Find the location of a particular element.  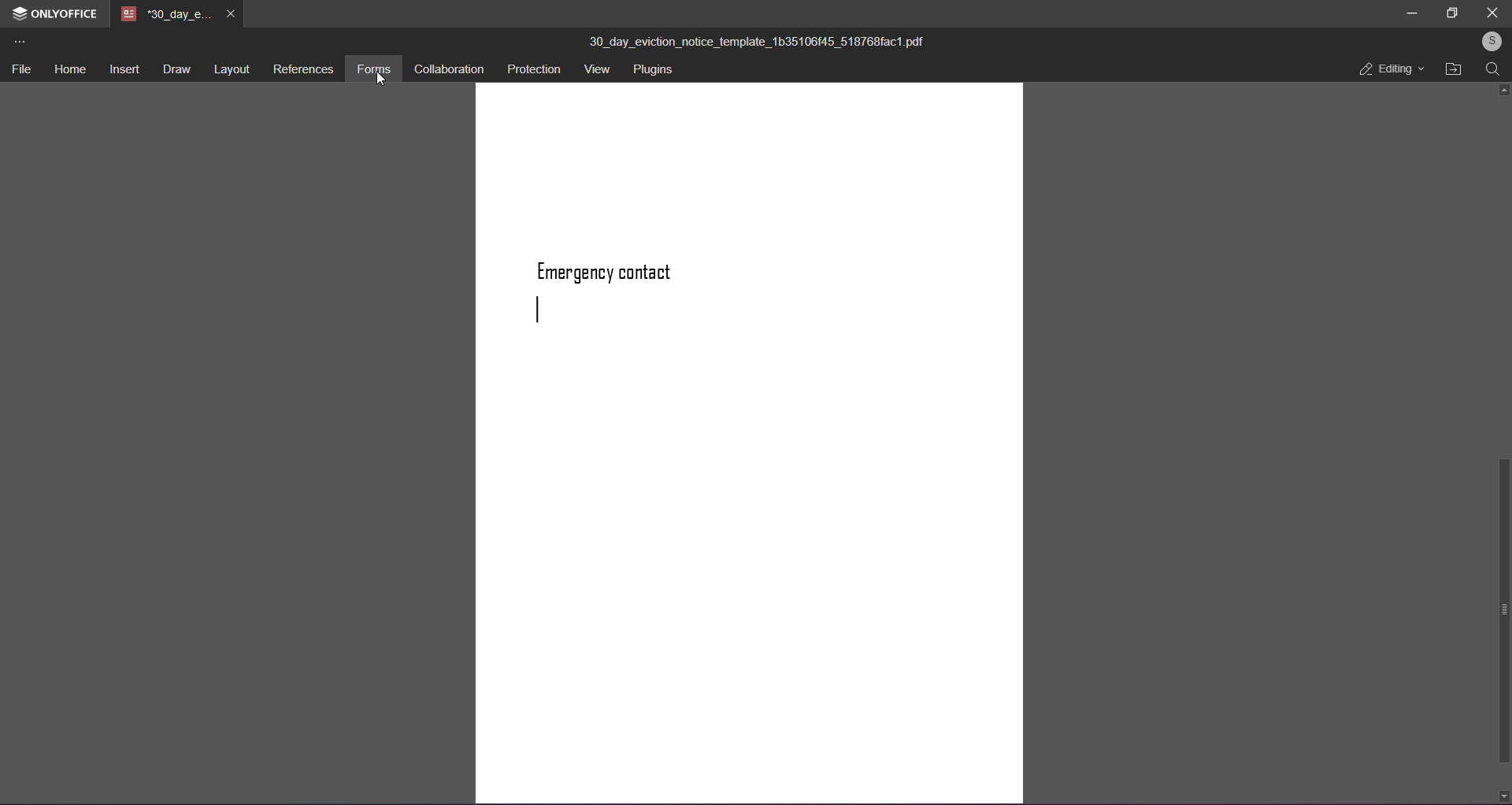

next line is located at coordinates (538, 314).